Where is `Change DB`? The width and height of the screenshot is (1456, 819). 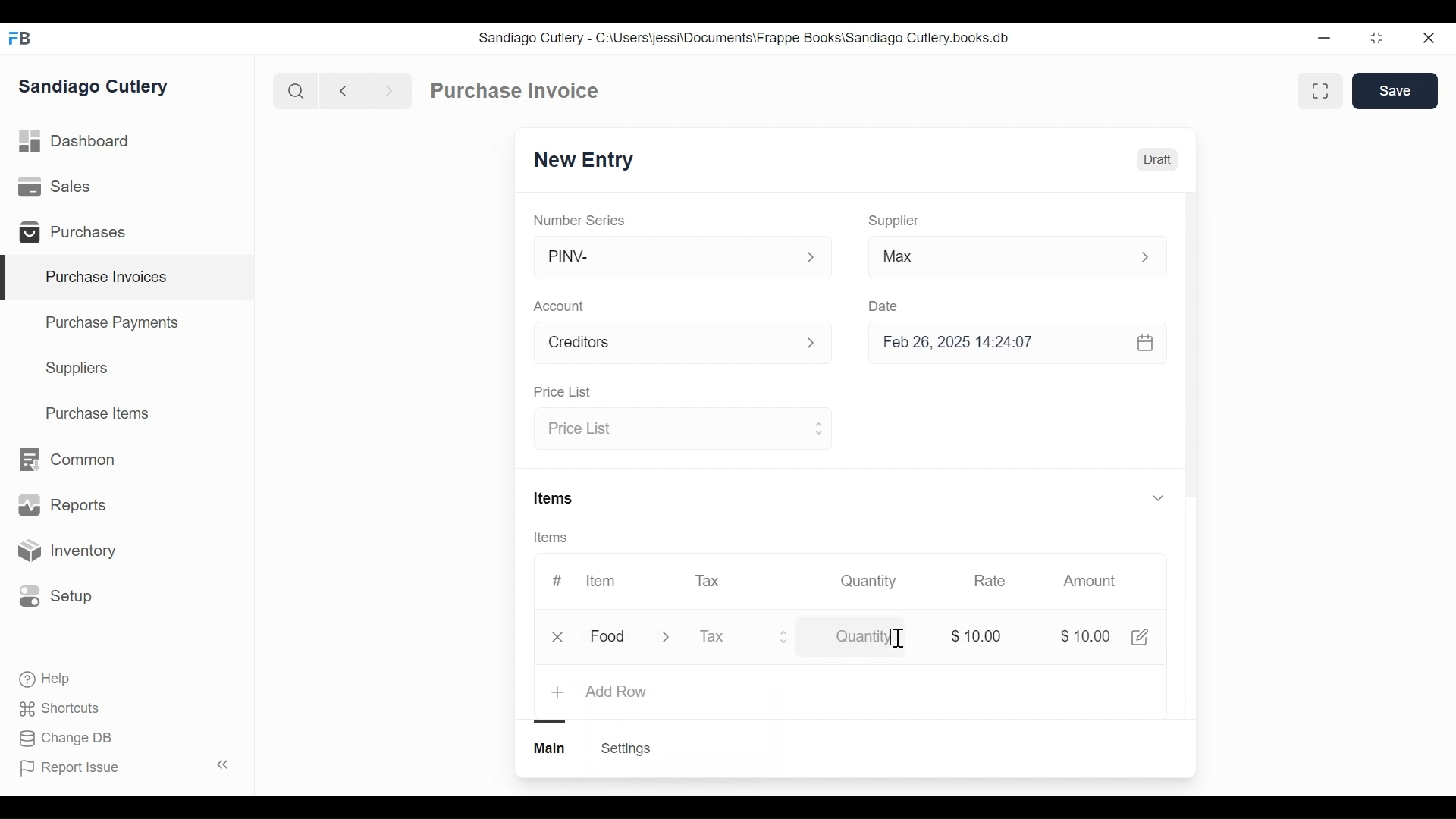 Change DB is located at coordinates (68, 739).